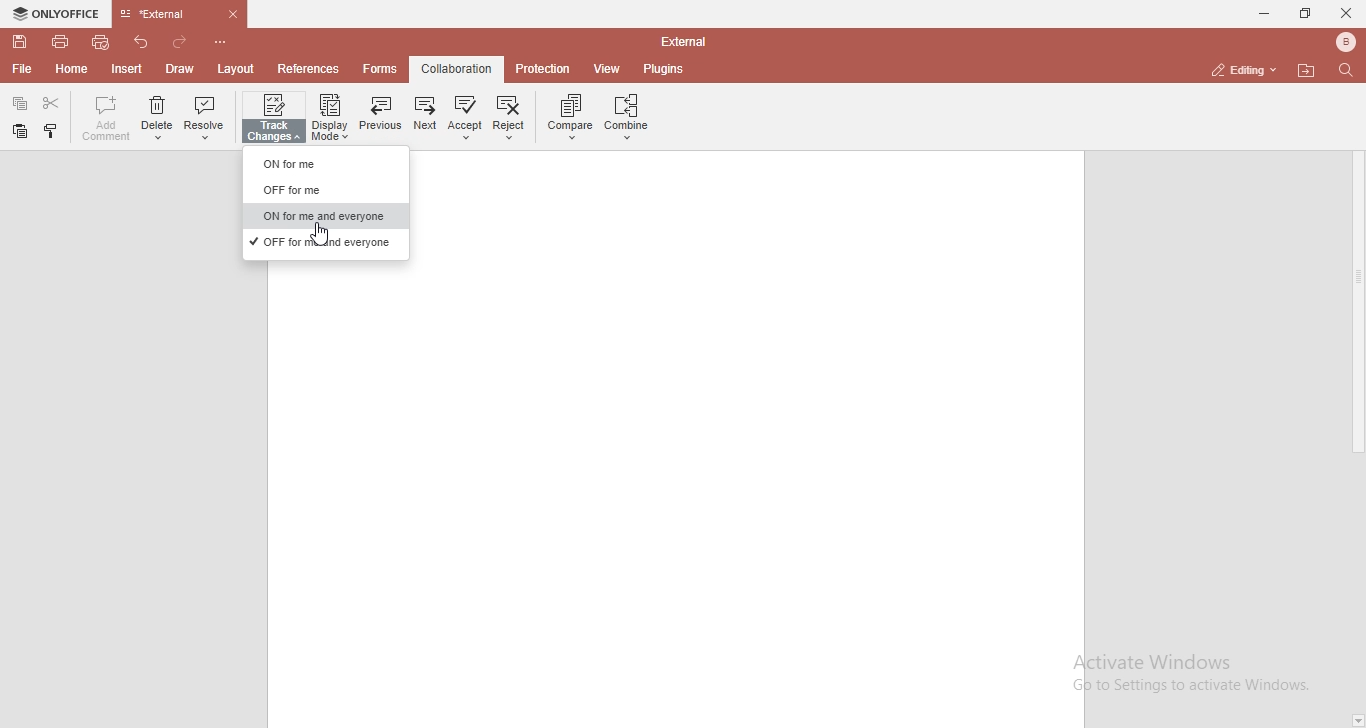 The height and width of the screenshot is (728, 1366). What do you see at coordinates (629, 117) in the screenshot?
I see `combine` at bounding box center [629, 117].